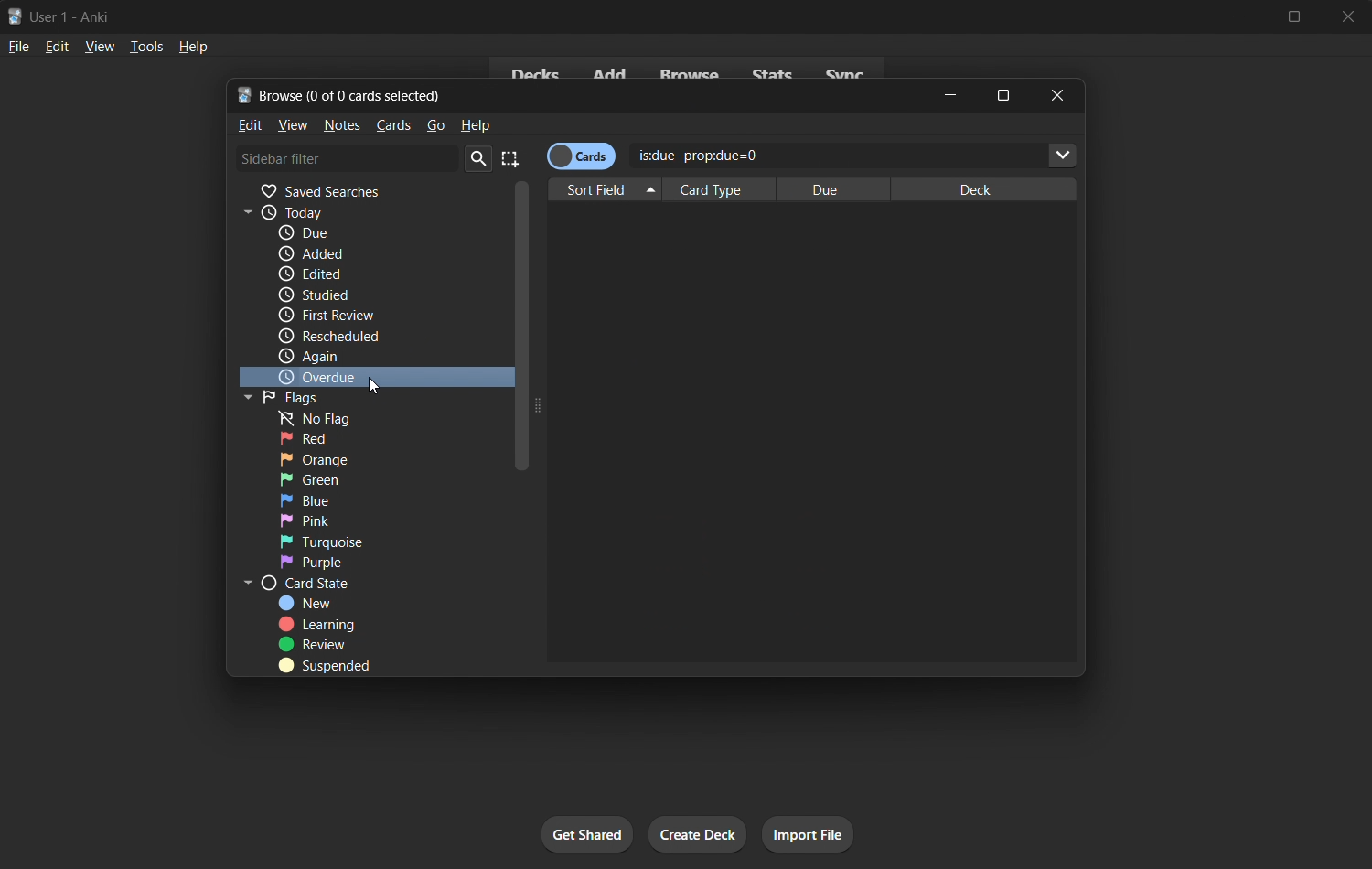  What do you see at coordinates (478, 126) in the screenshot?
I see `help` at bounding box center [478, 126].